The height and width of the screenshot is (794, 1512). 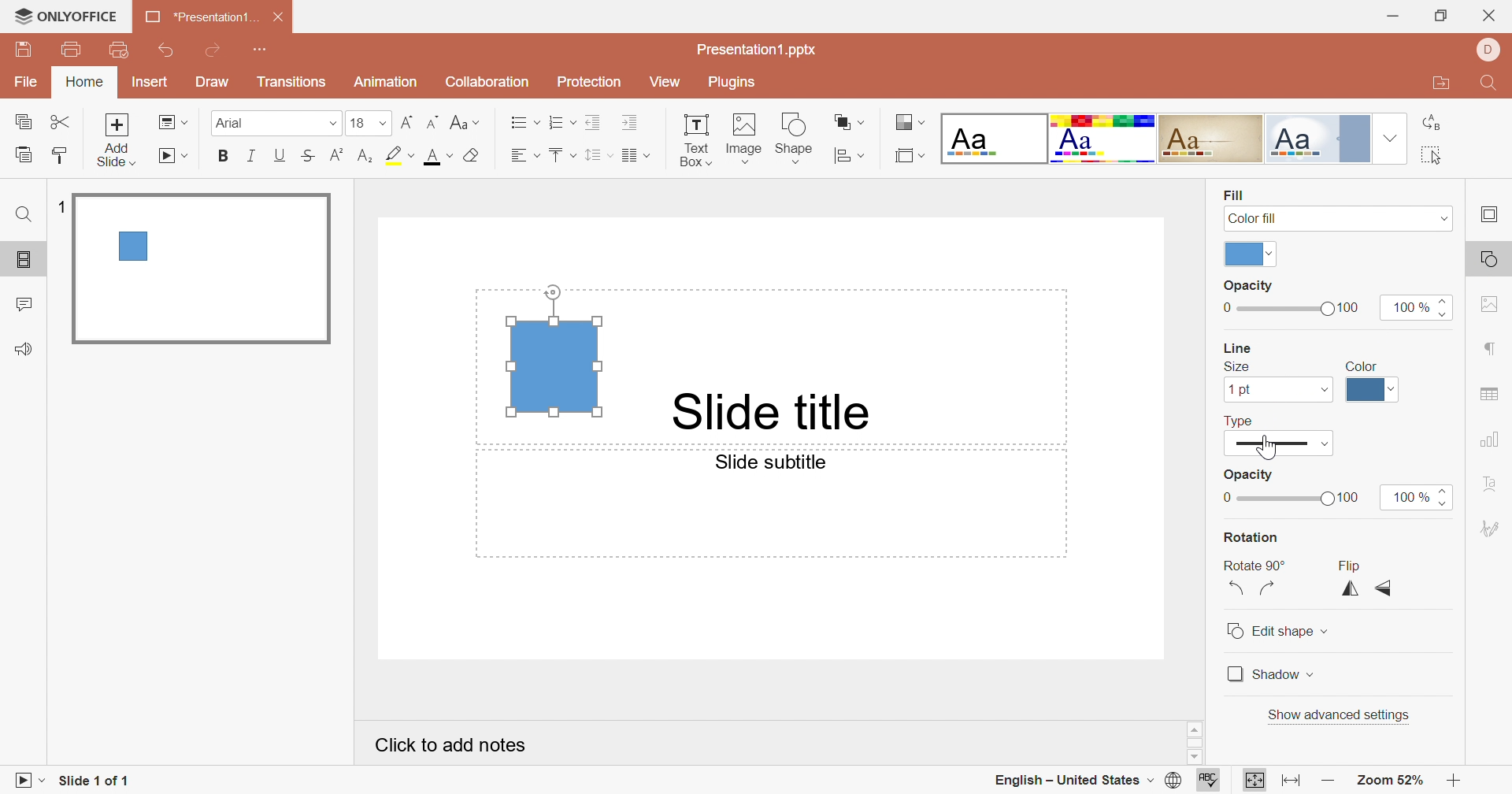 I want to click on Fill color, so click(x=469, y=157).